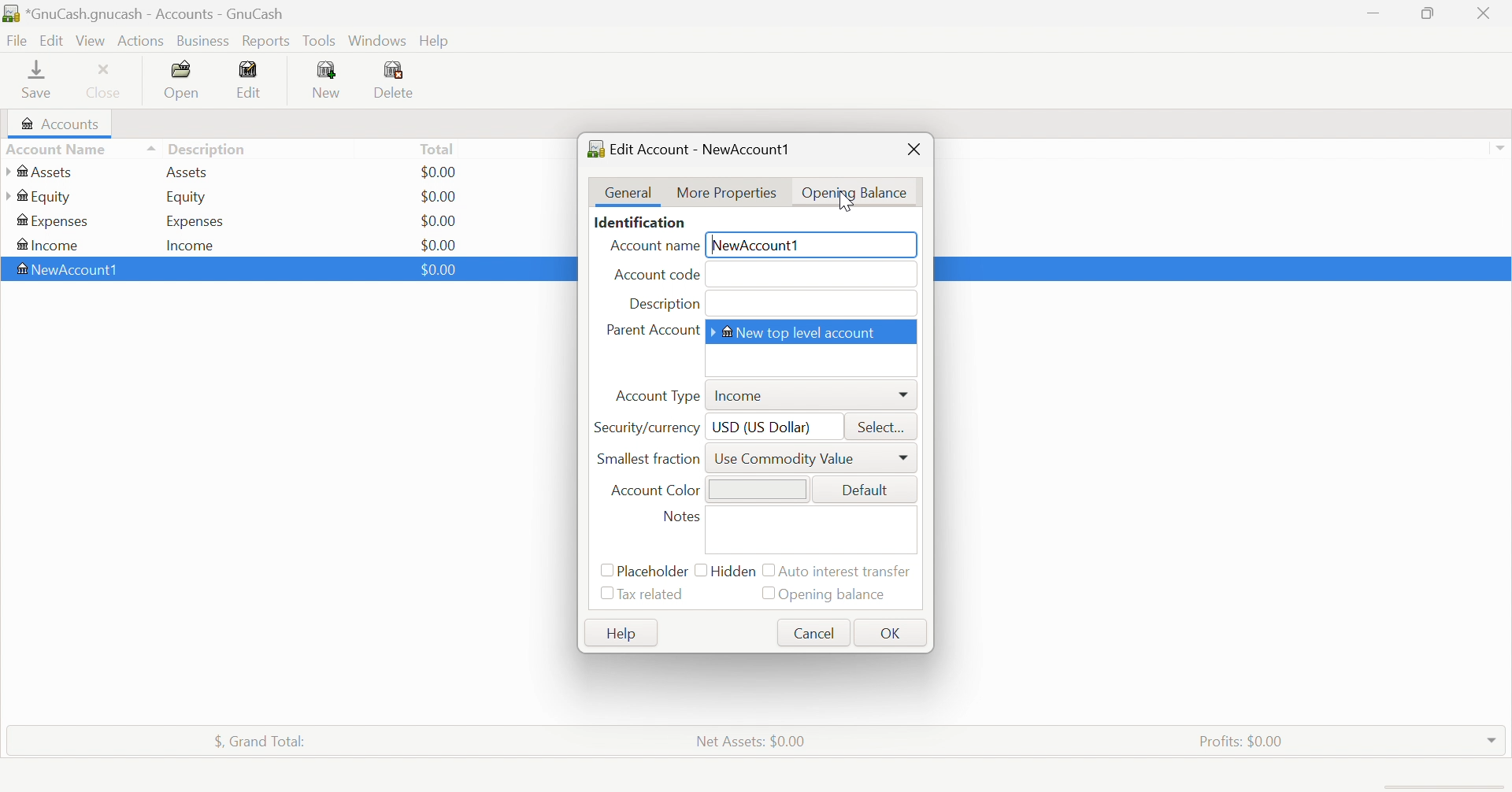  Describe the element at coordinates (680, 515) in the screenshot. I see `Notes` at that location.